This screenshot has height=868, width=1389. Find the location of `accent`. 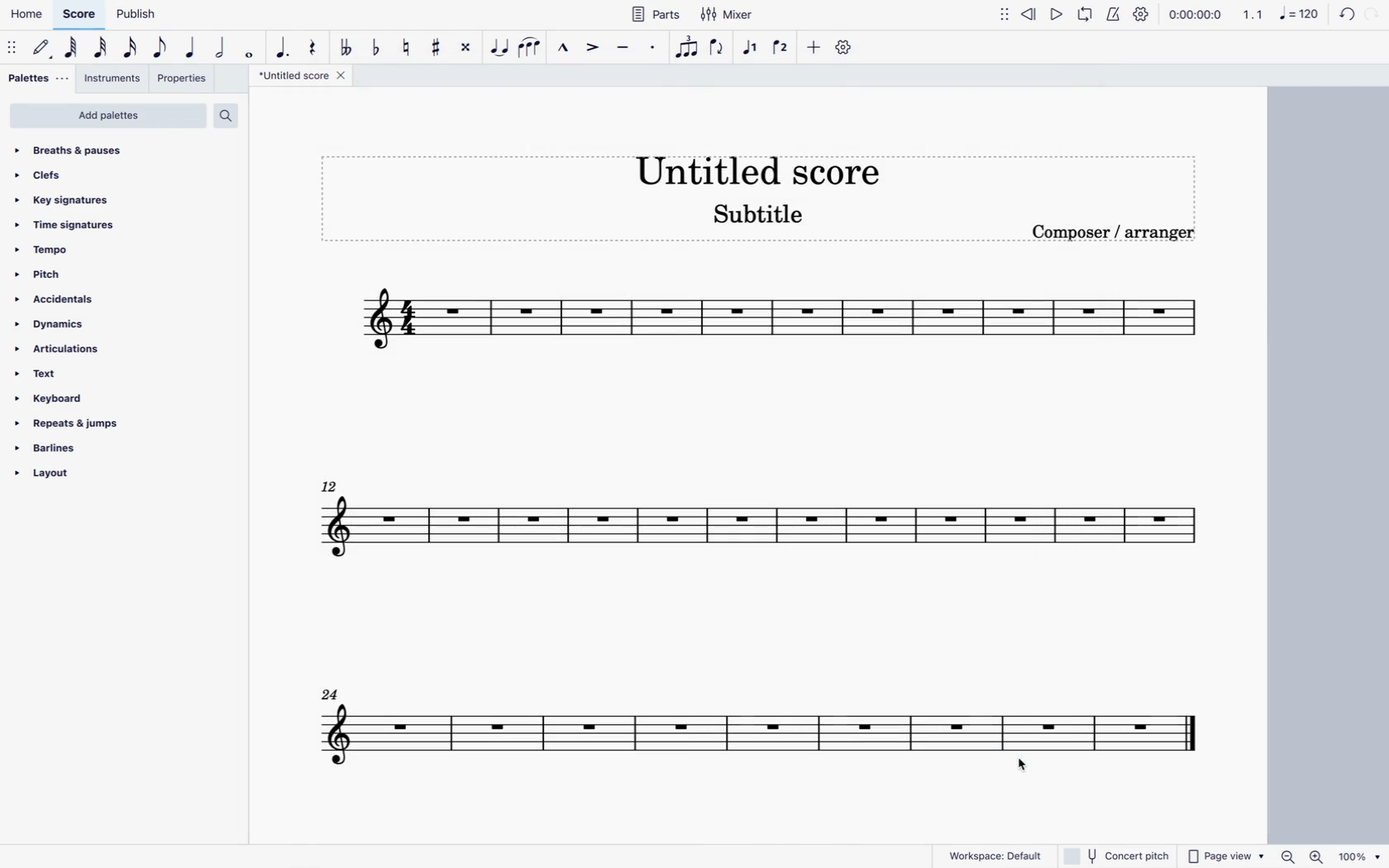

accent is located at coordinates (592, 49).